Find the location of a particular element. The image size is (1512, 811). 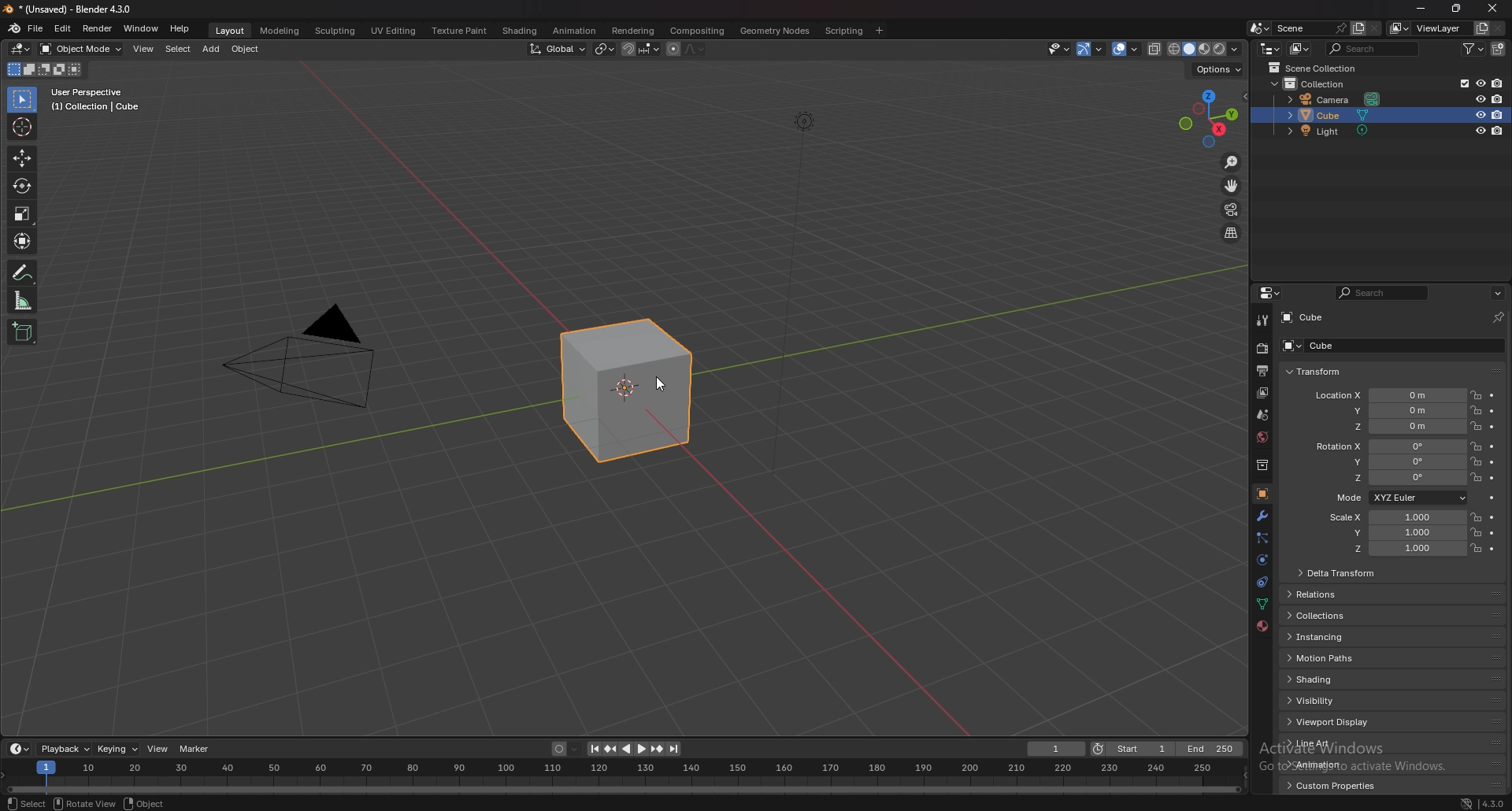

user perspective is located at coordinates (100, 99).